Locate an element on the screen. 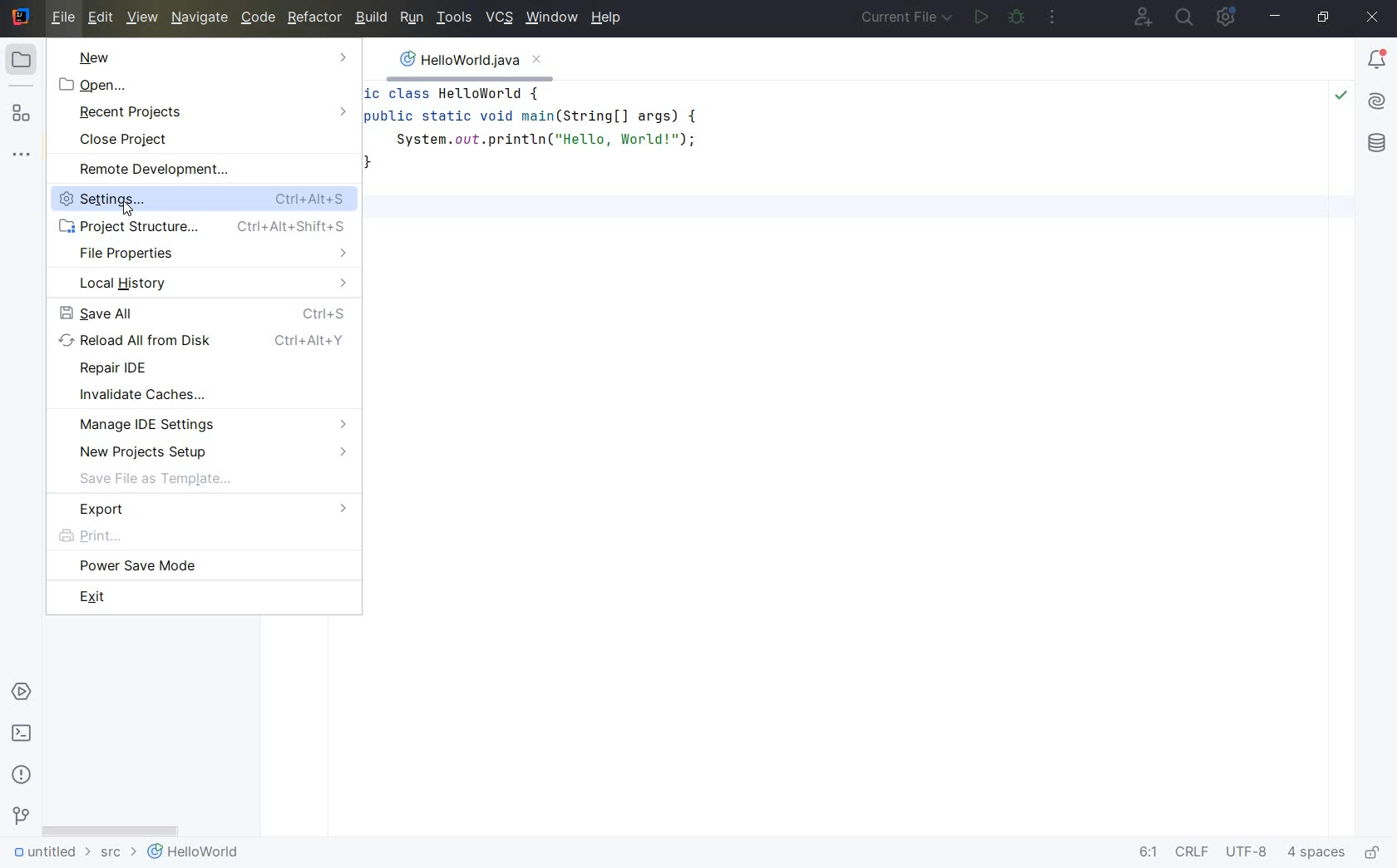 The width and height of the screenshot is (1397, 868). TOOLS is located at coordinates (455, 18).